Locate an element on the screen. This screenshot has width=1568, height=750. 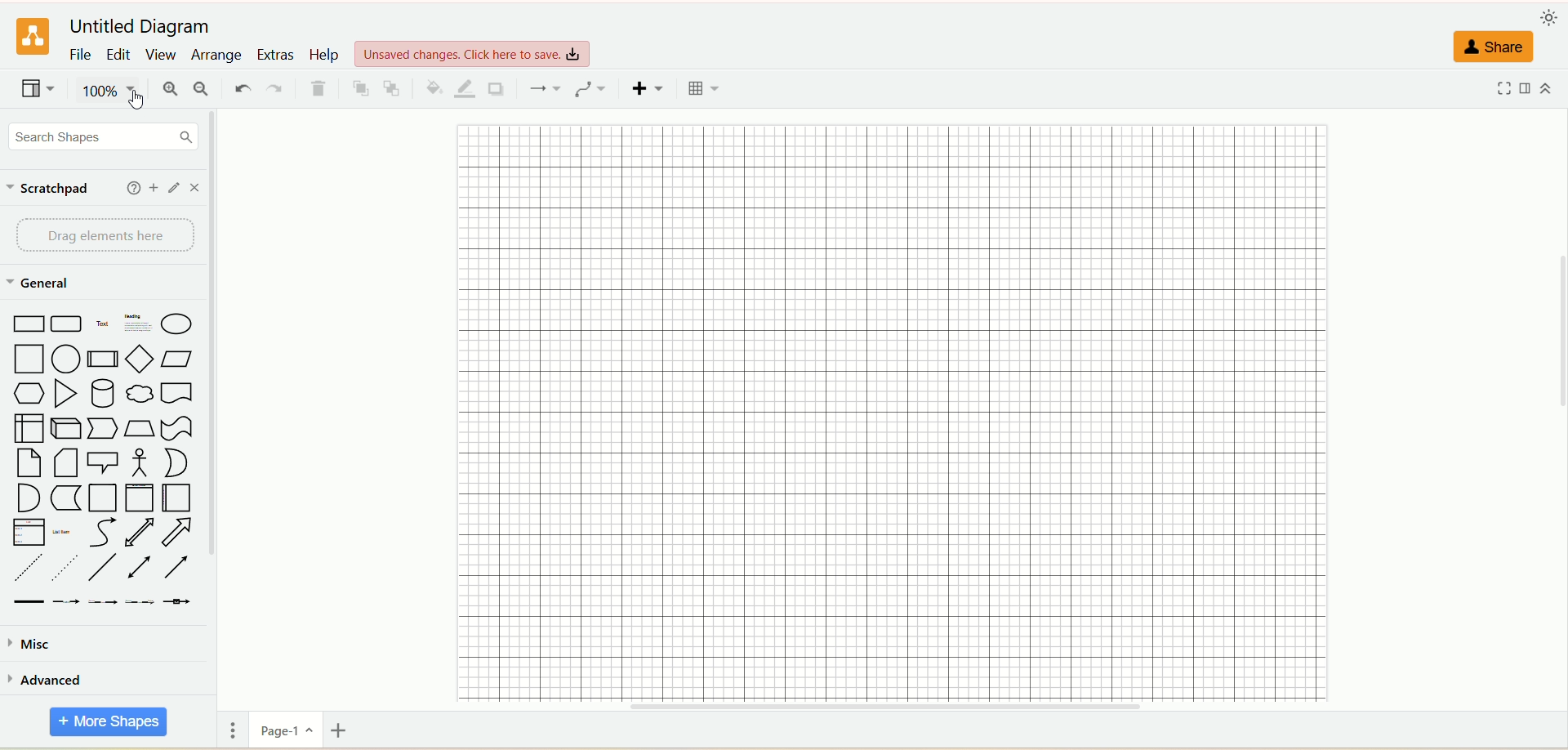
pages is located at coordinates (233, 729).